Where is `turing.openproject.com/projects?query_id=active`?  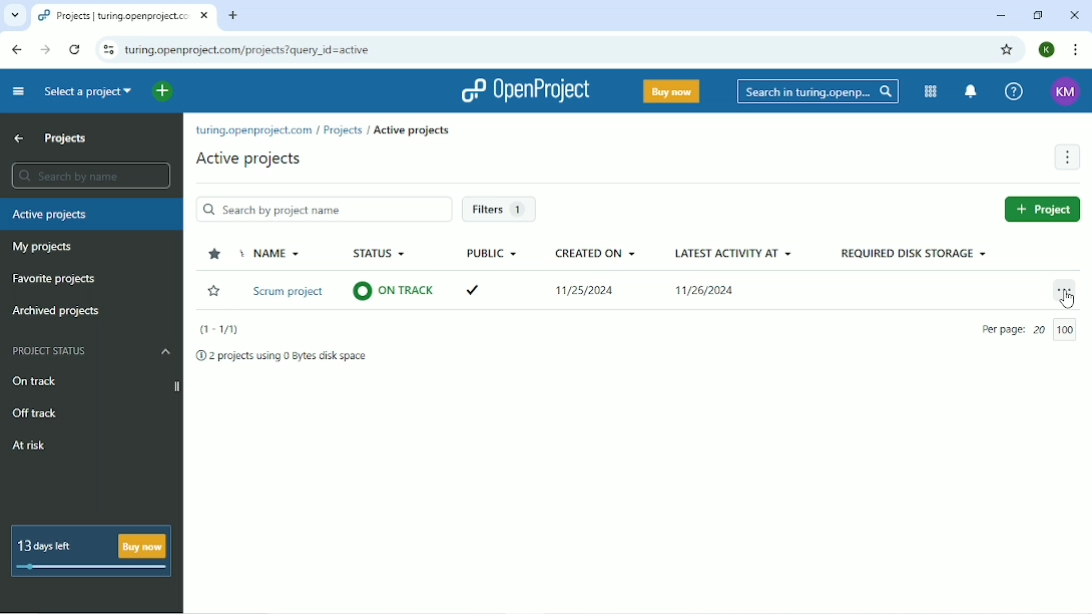 turing.openproject.com/projects?query_id=active is located at coordinates (263, 51).